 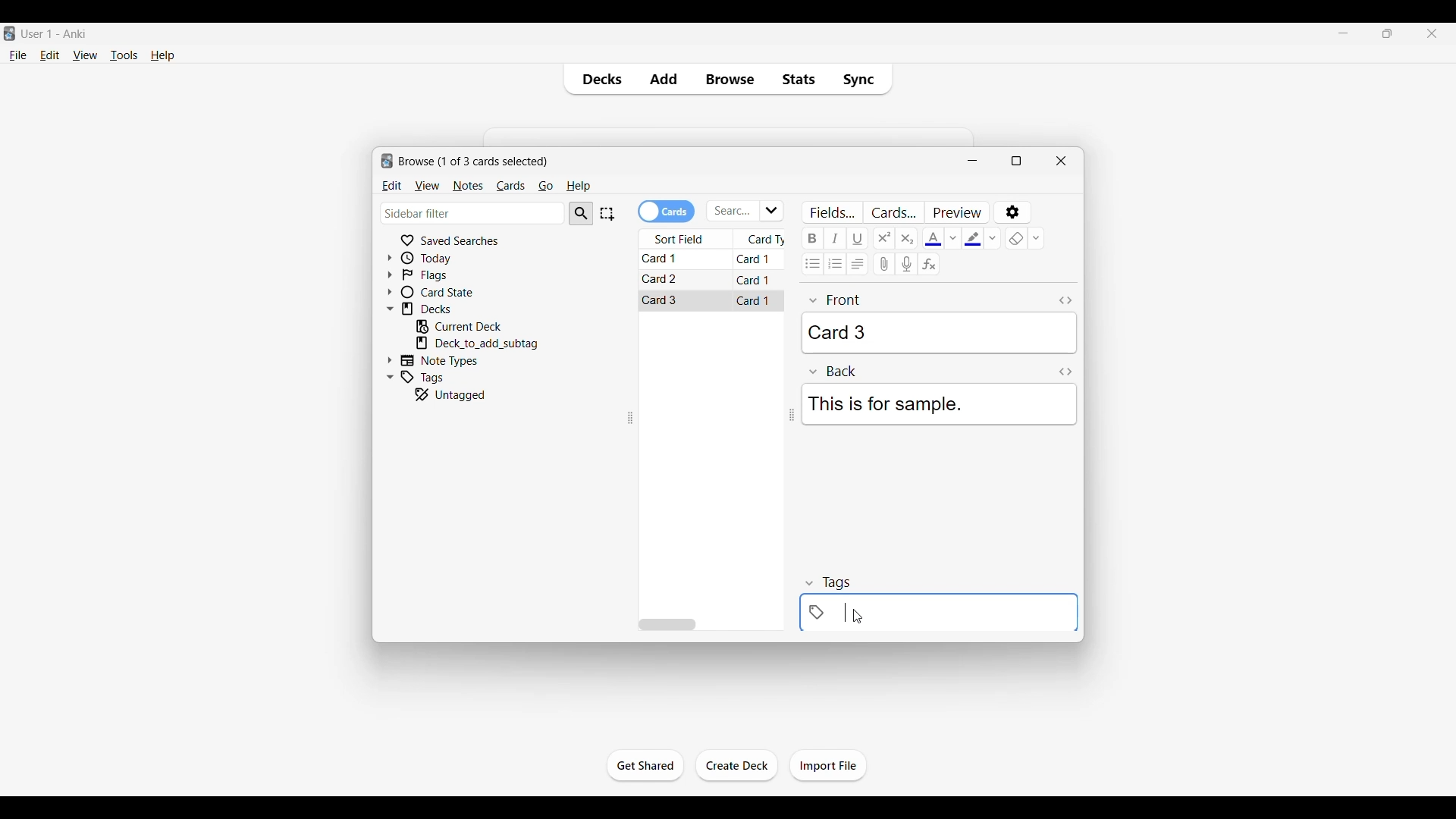 What do you see at coordinates (86, 55) in the screenshot?
I see `View menu` at bounding box center [86, 55].